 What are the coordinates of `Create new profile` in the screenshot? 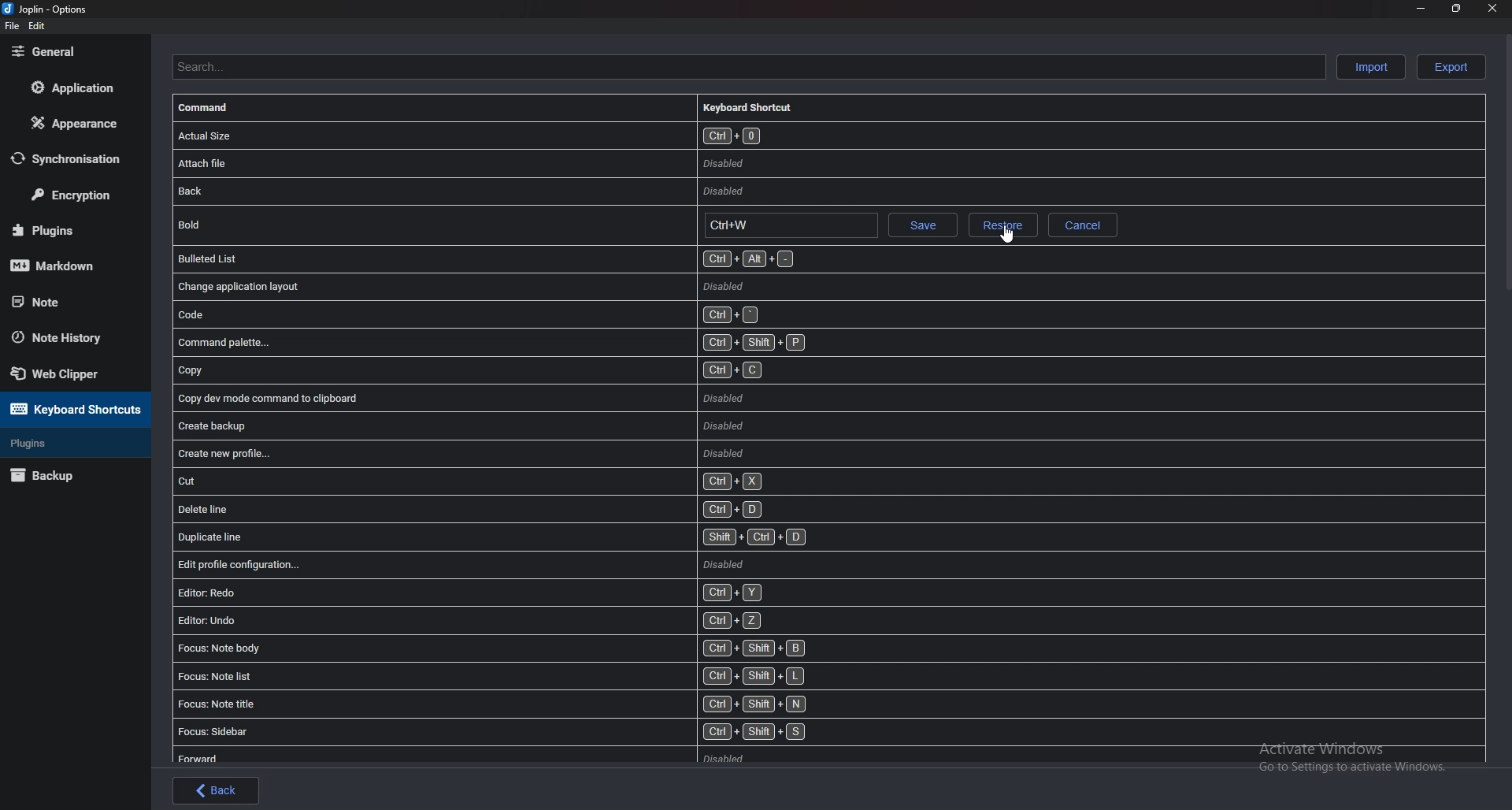 It's located at (469, 455).